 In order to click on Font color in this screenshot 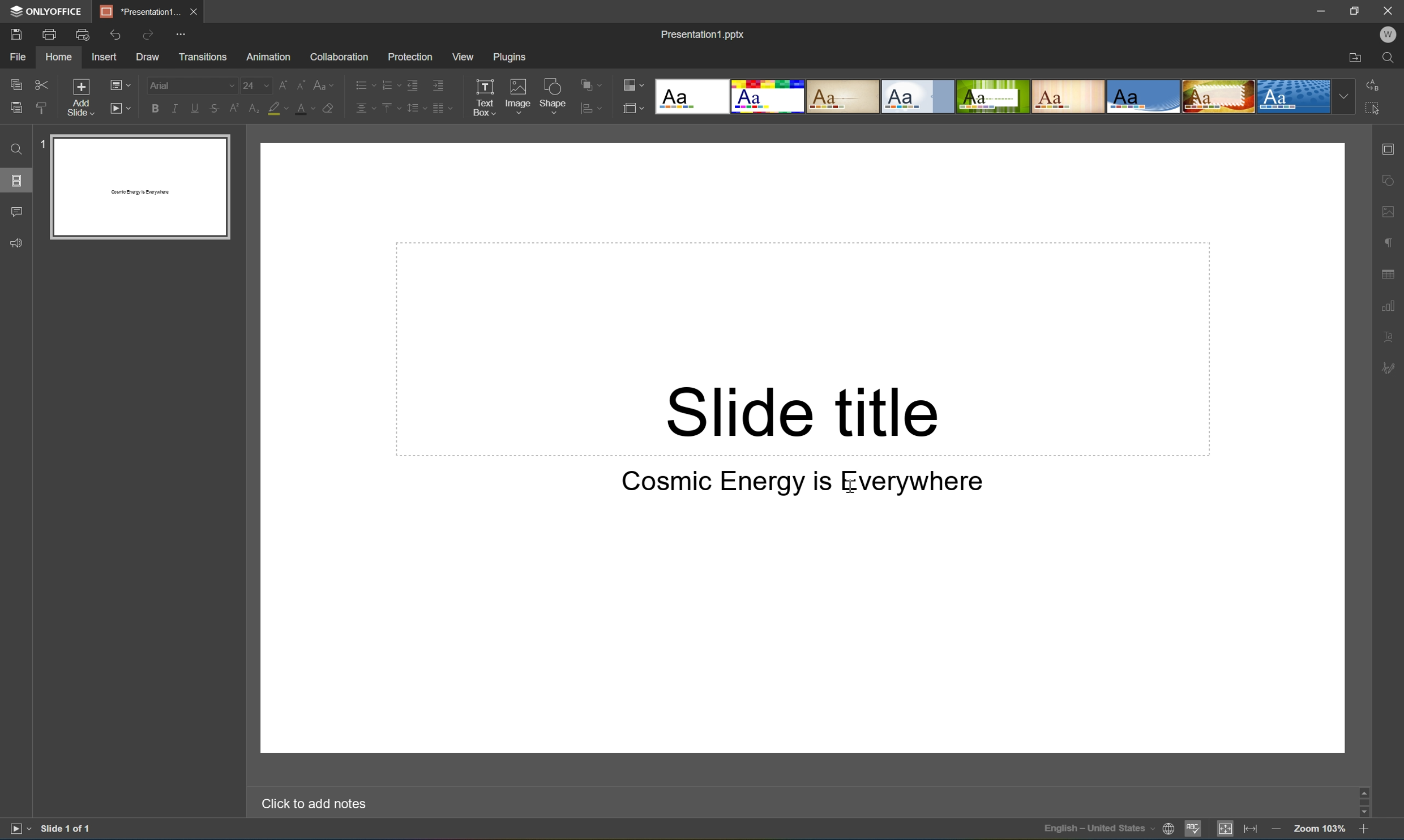, I will do `click(307, 106)`.